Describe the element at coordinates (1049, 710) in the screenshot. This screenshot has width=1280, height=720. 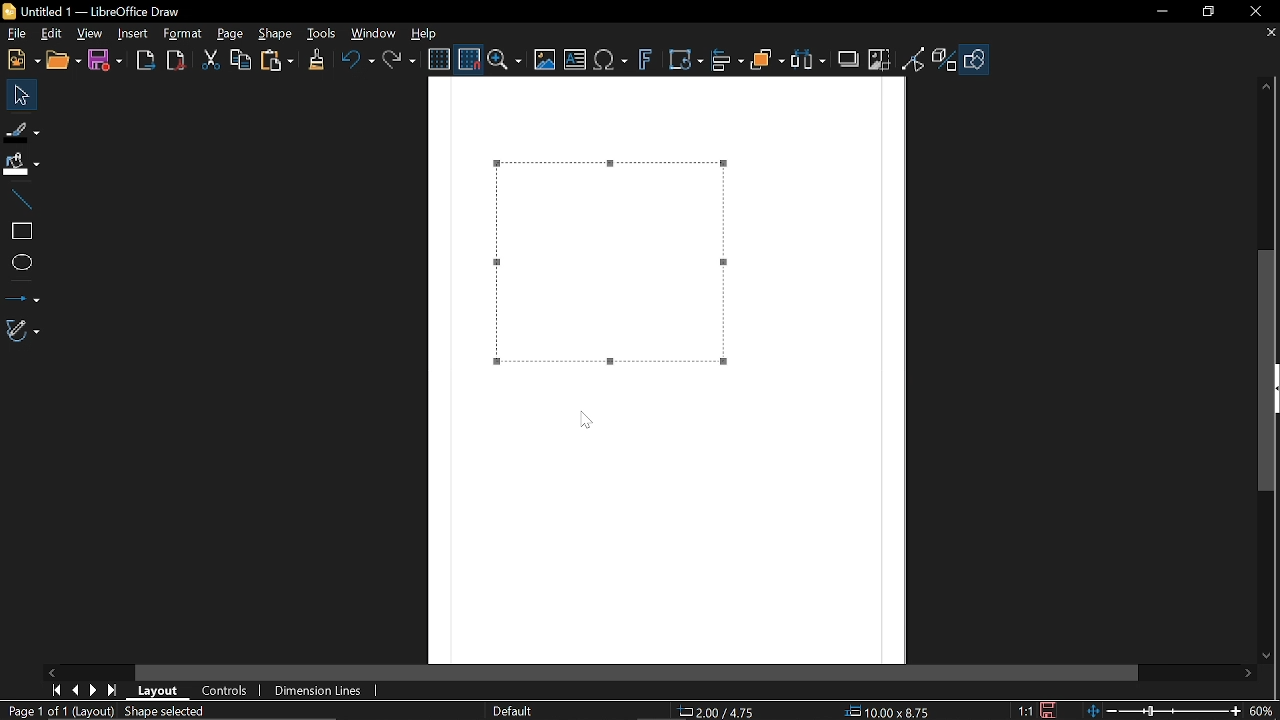
I see `Save` at that location.